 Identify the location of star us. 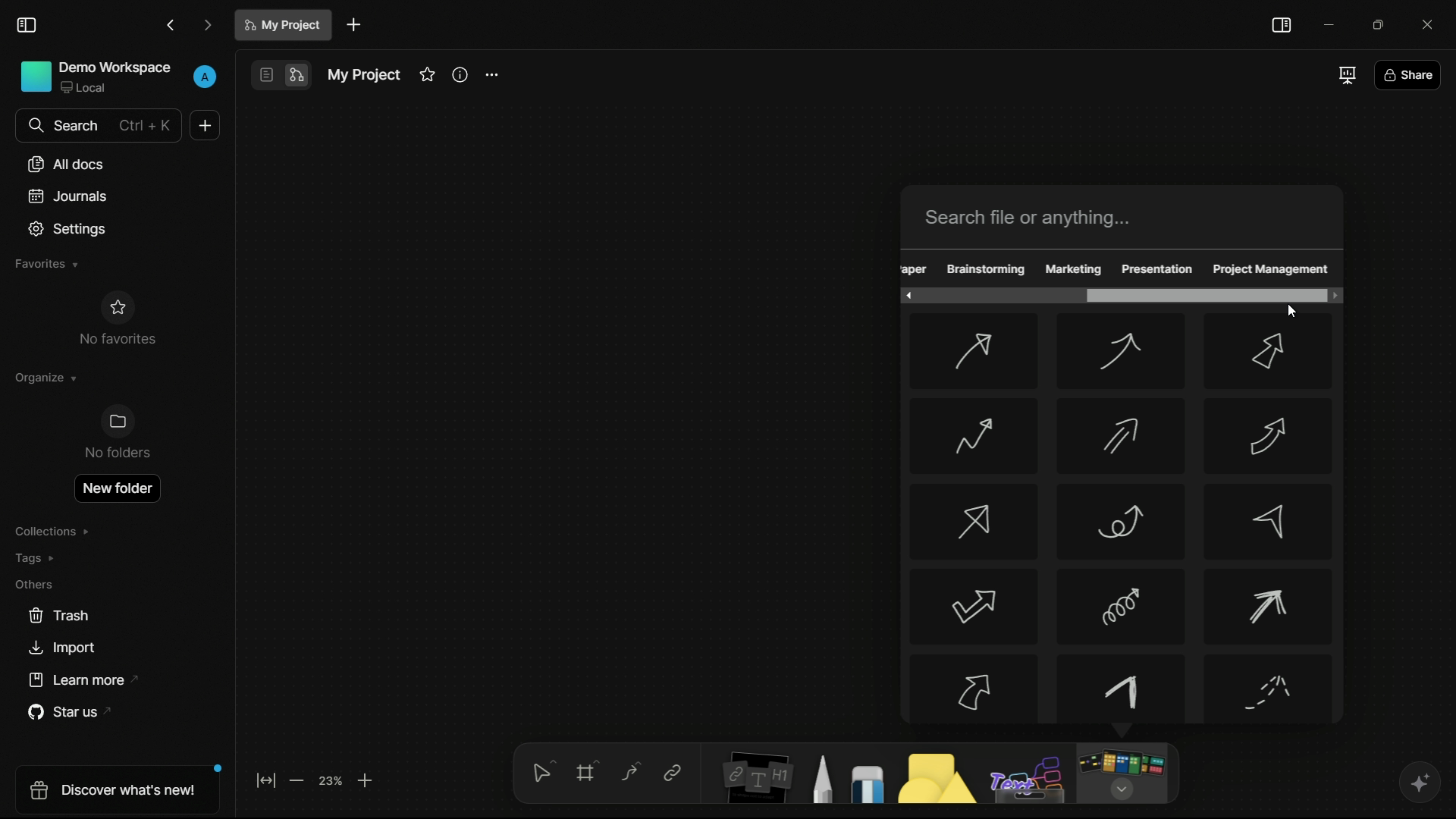
(74, 713).